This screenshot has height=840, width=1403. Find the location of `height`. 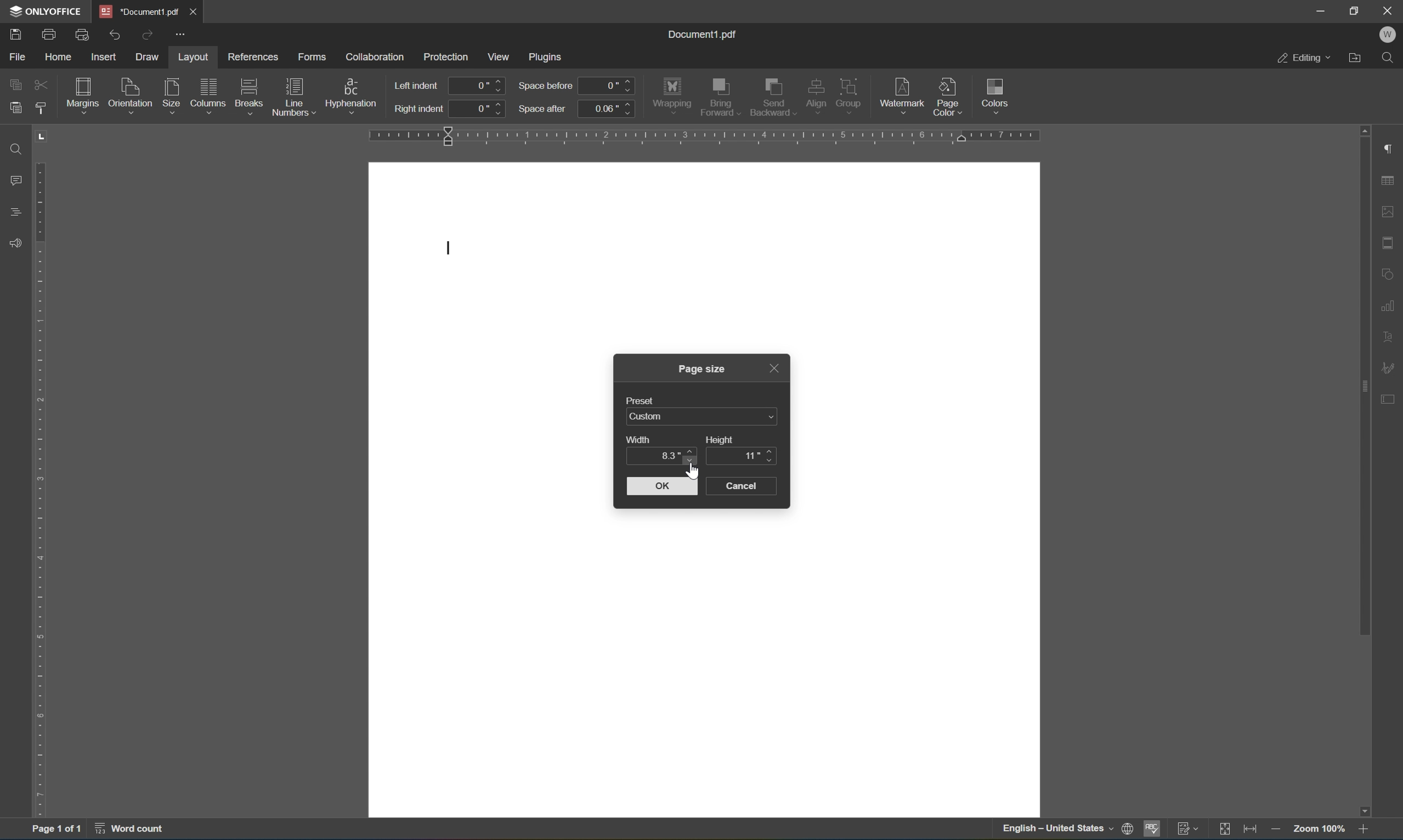

height is located at coordinates (722, 439).